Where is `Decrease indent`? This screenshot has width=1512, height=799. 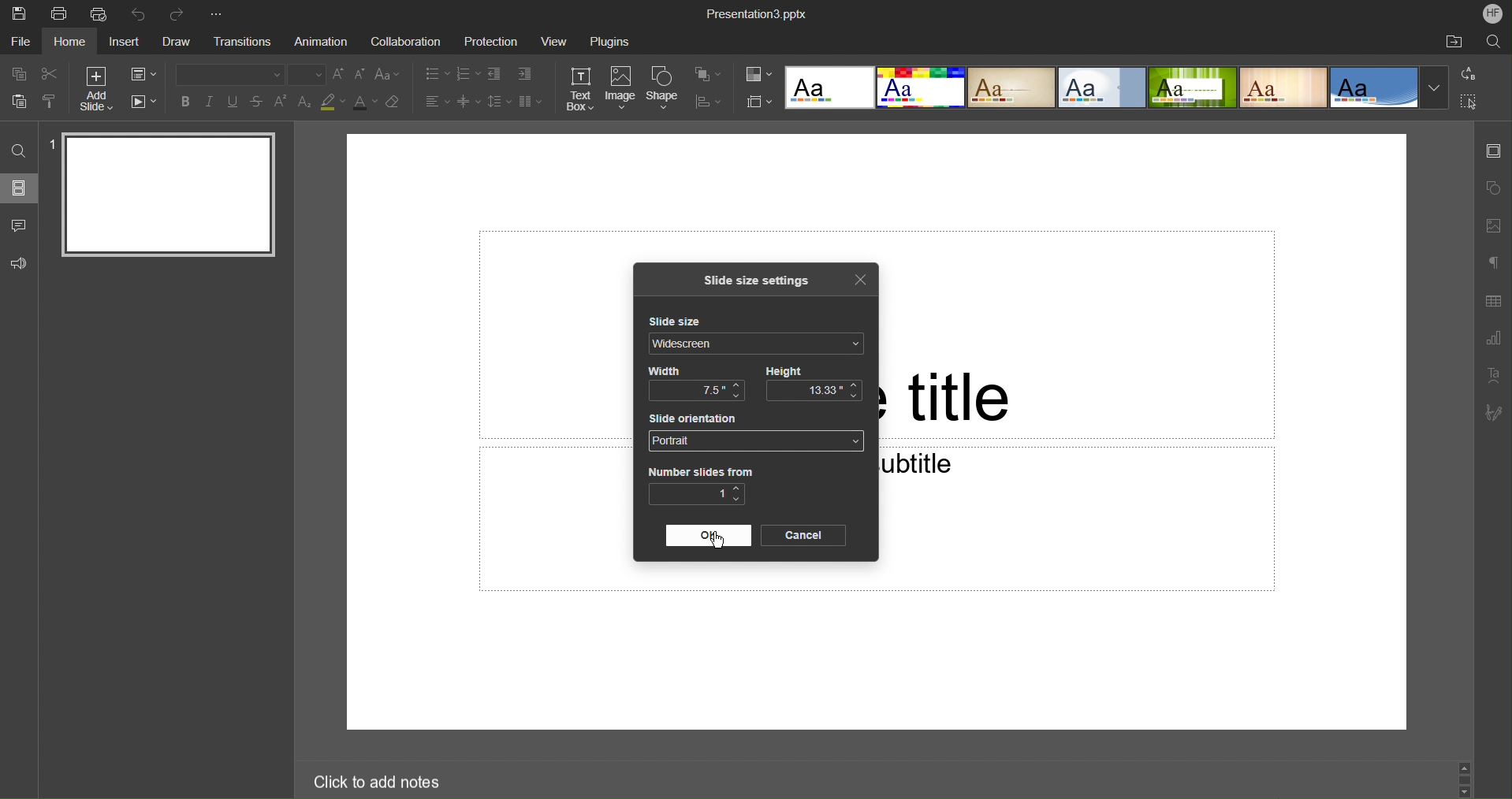 Decrease indent is located at coordinates (493, 74).